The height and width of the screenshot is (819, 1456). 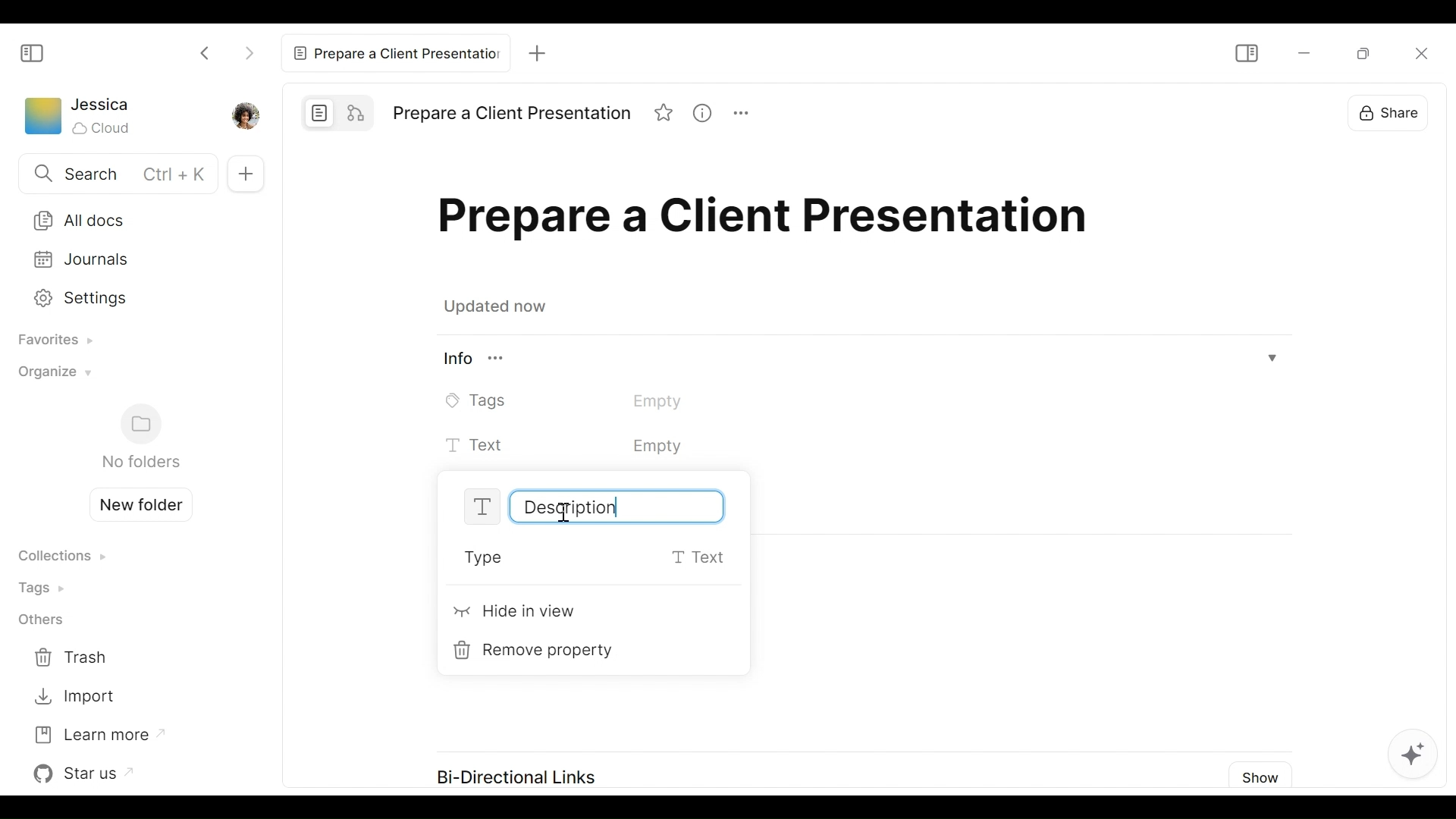 I want to click on minimize, so click(x=1302, y=54).